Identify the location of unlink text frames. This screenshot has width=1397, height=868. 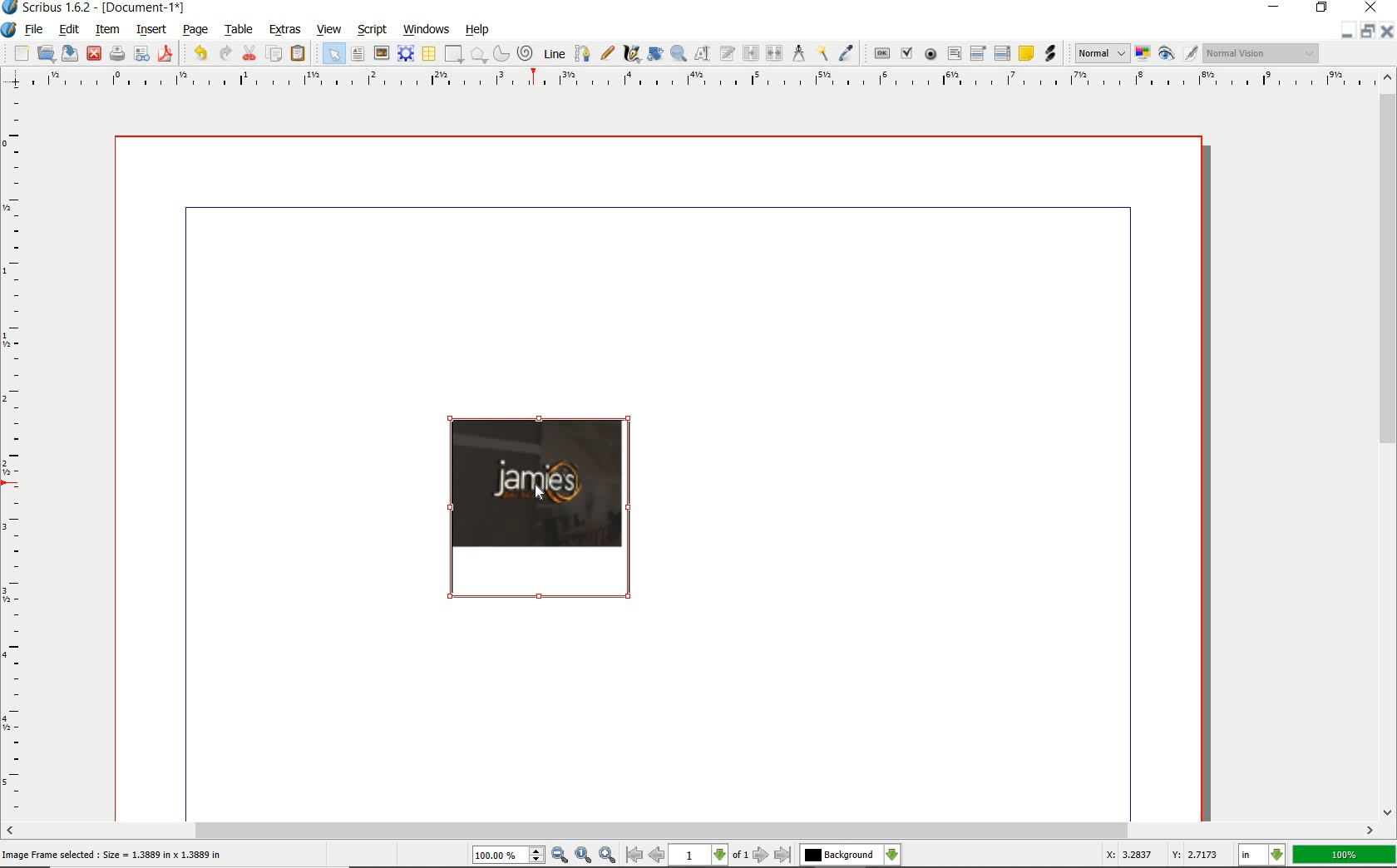
(774, 52).